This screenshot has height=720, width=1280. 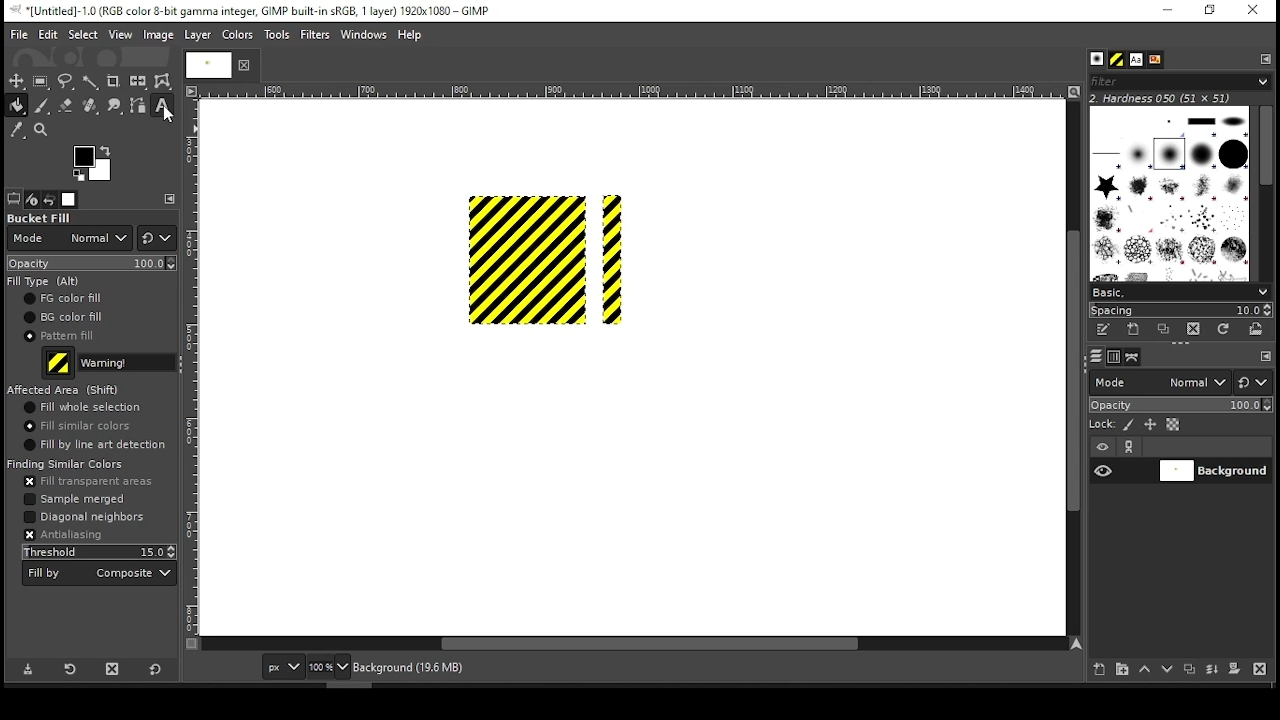 I want to click on fill type, so click(x=47, y=281).